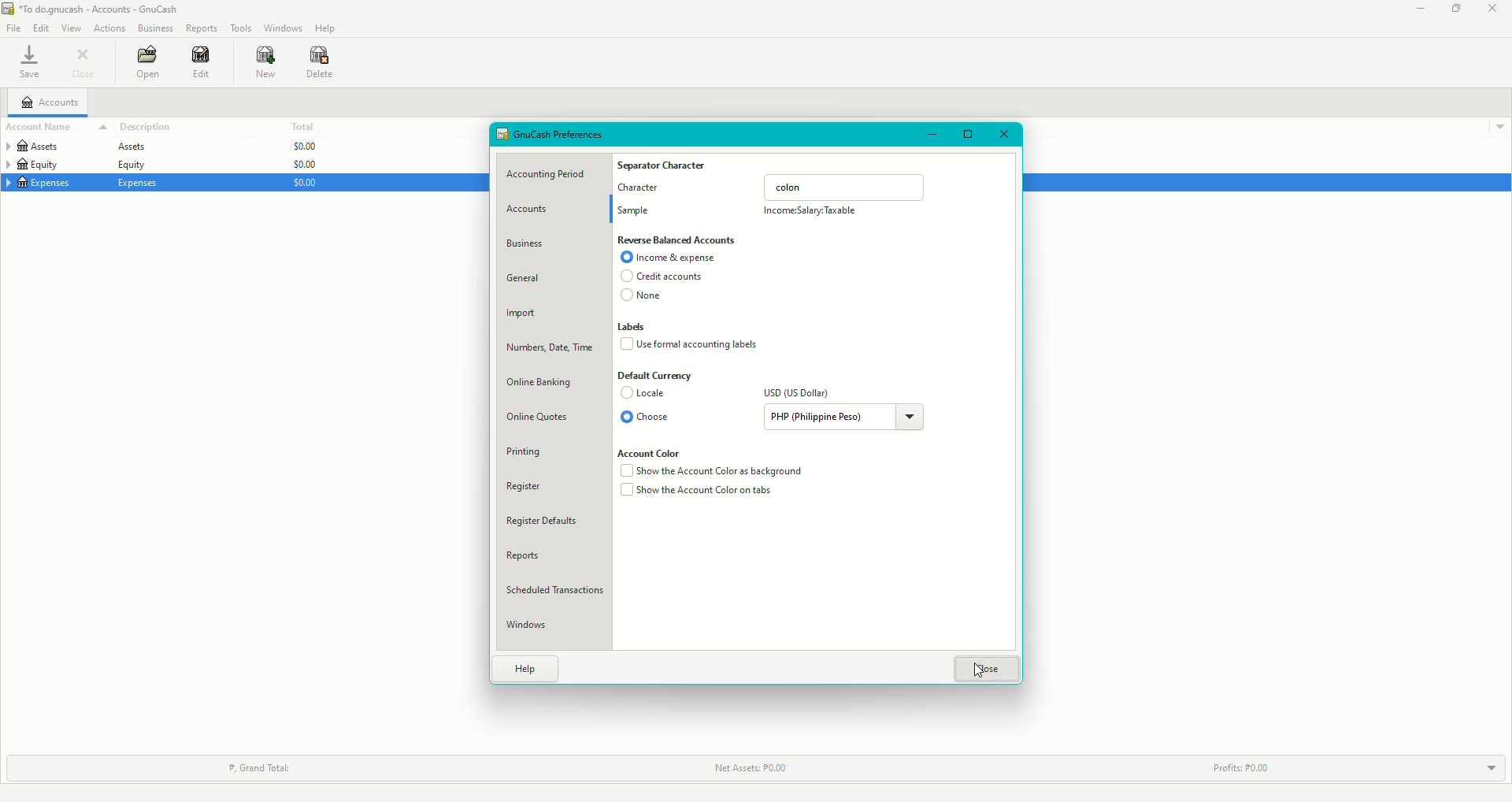  Describe the element at coordinates (74, 149) in the screenshot. I see `Assets` at that location.